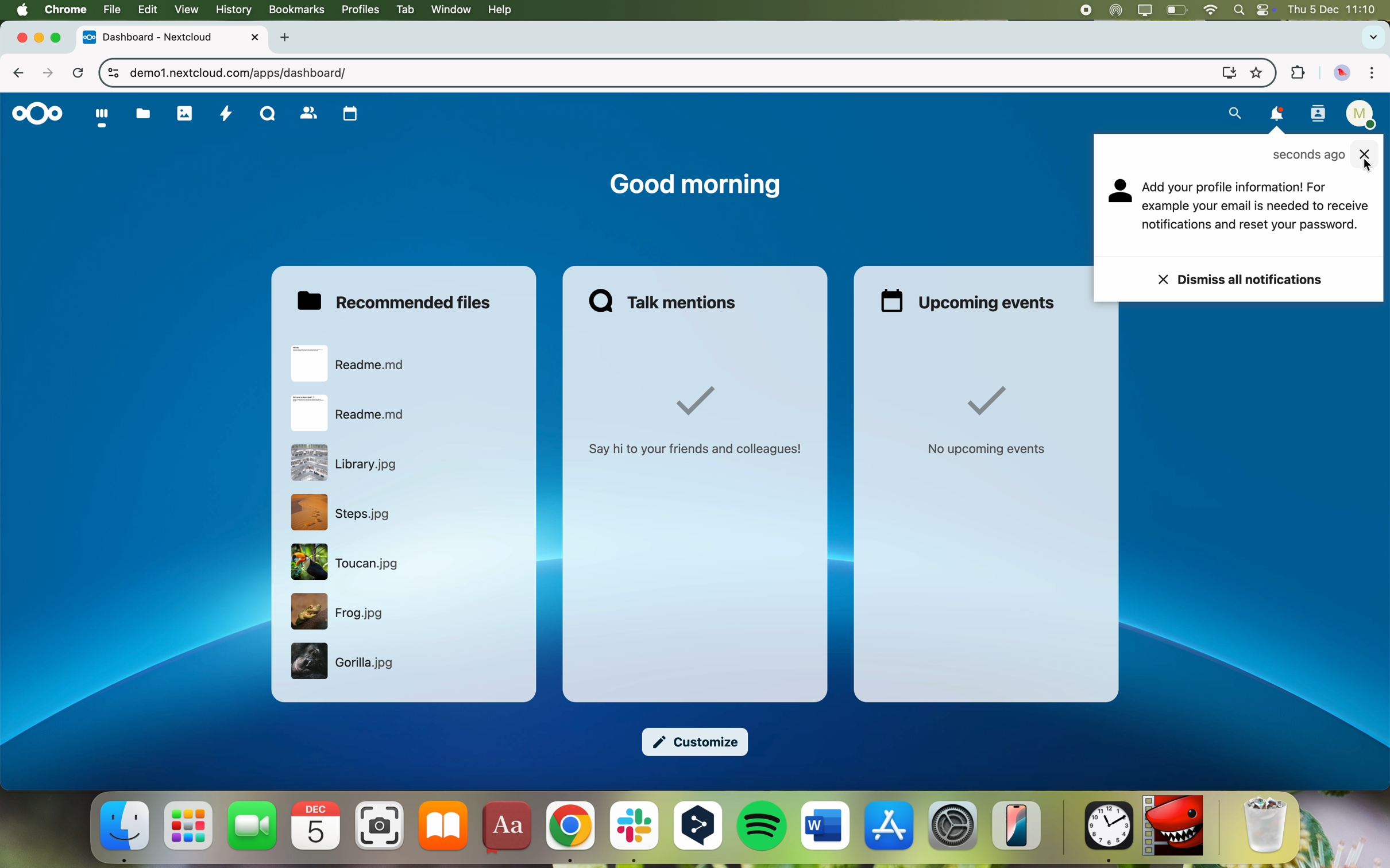  Describe the element at coordinates (1106, 834) in the screenshot. I see `clock` at that location.